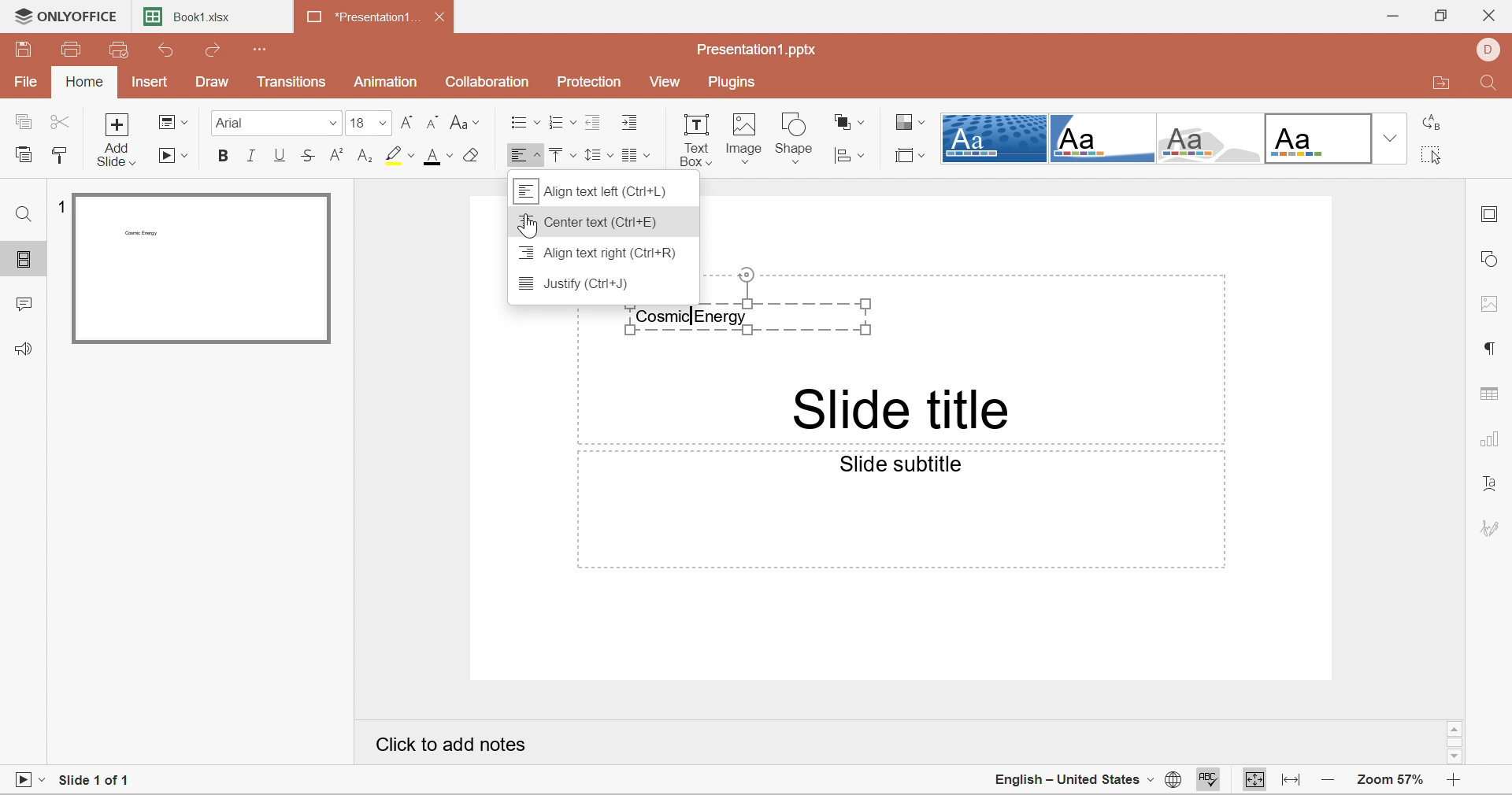  I want to click on Start slideshow, so click(176, 157).